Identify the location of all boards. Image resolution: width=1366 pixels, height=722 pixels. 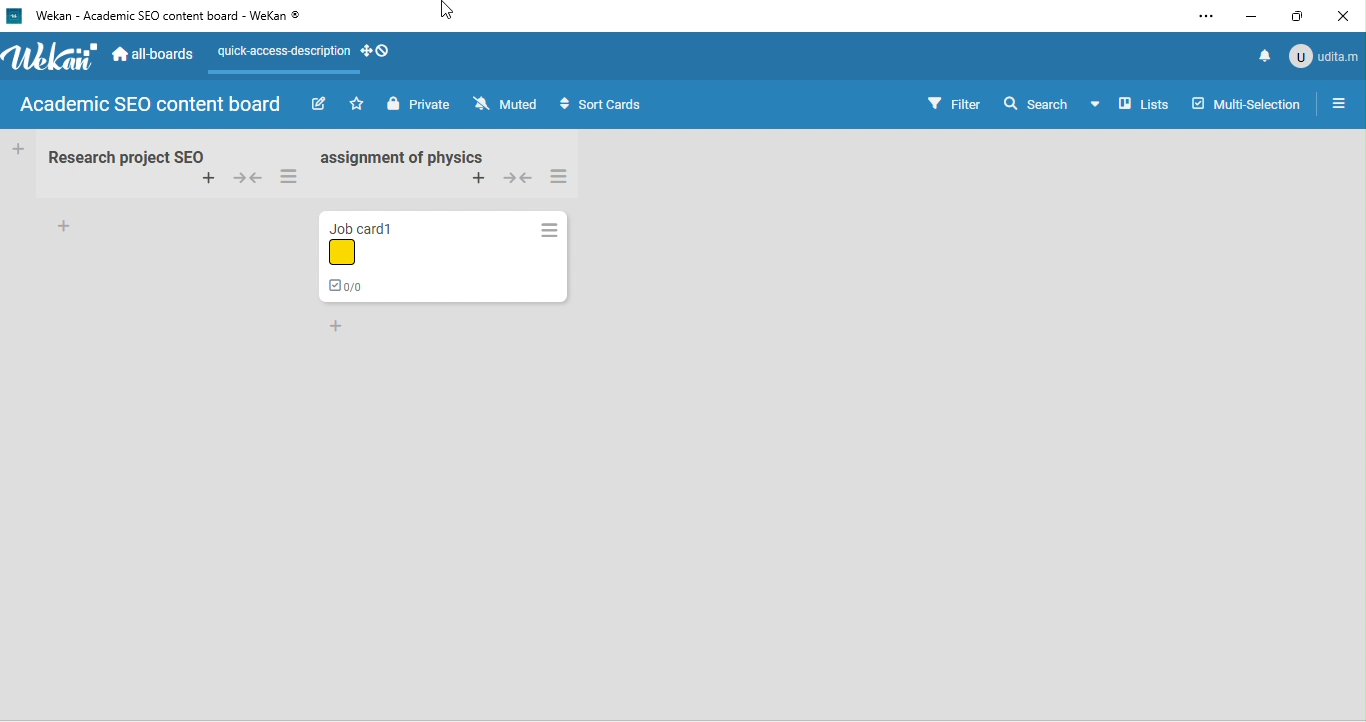
(161, 55).